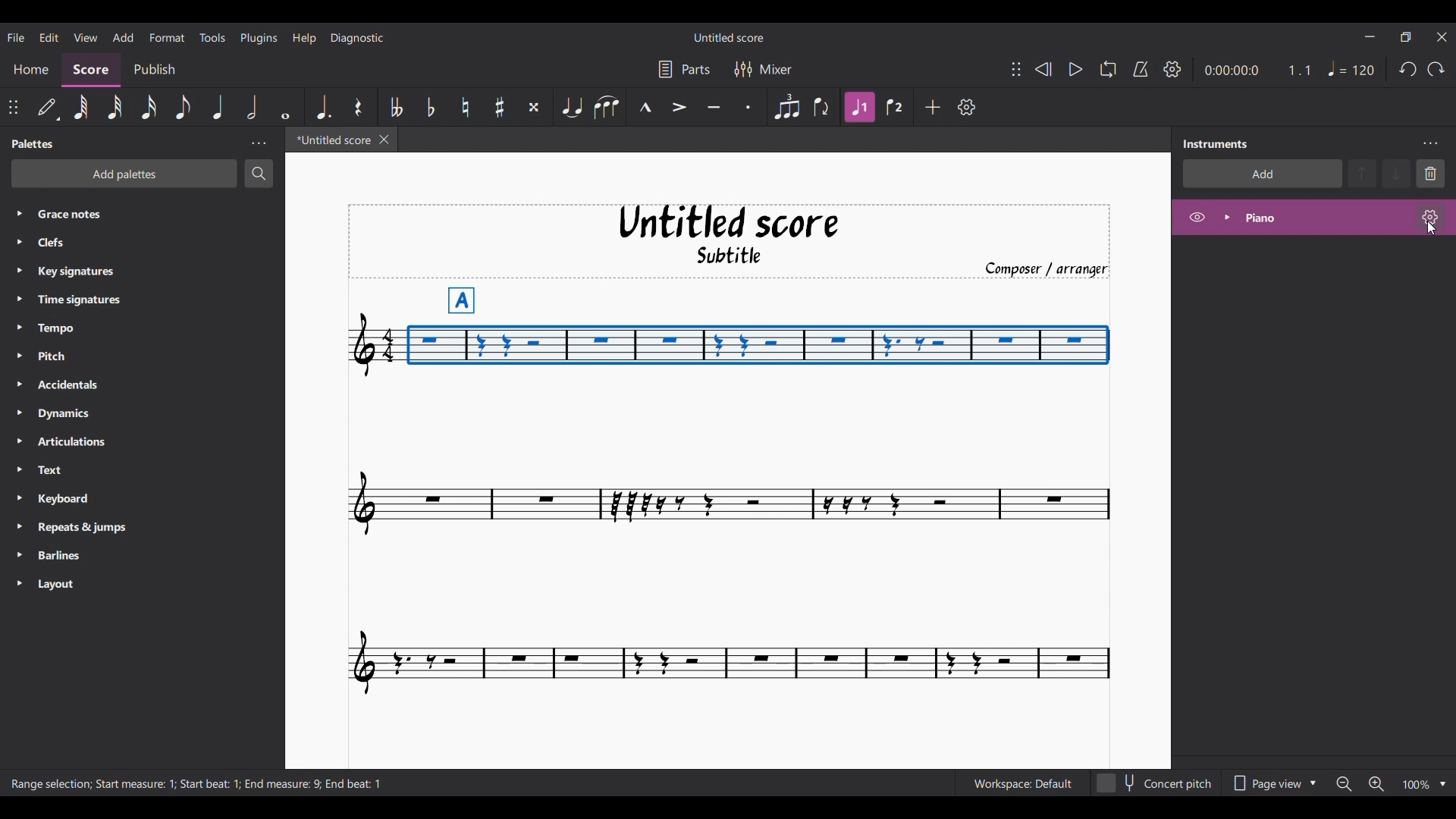 The width and height of the screenshot is (1456, 819). Describe the element at coordinates (1442, 784) in the screenshot. I see `Zoom options` at that location.